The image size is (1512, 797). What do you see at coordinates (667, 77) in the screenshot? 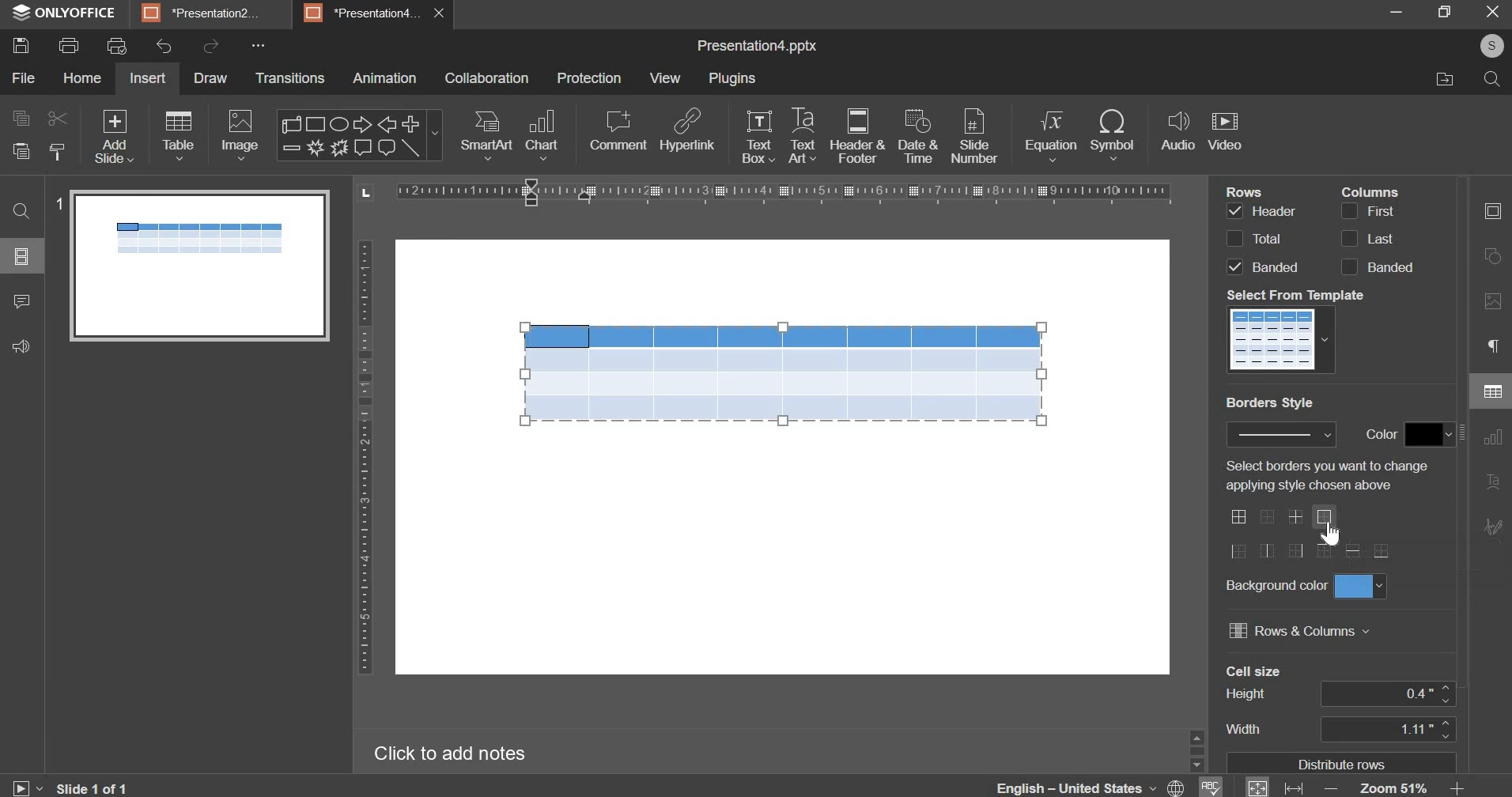
I see `view` at bounding box center [667, 77].